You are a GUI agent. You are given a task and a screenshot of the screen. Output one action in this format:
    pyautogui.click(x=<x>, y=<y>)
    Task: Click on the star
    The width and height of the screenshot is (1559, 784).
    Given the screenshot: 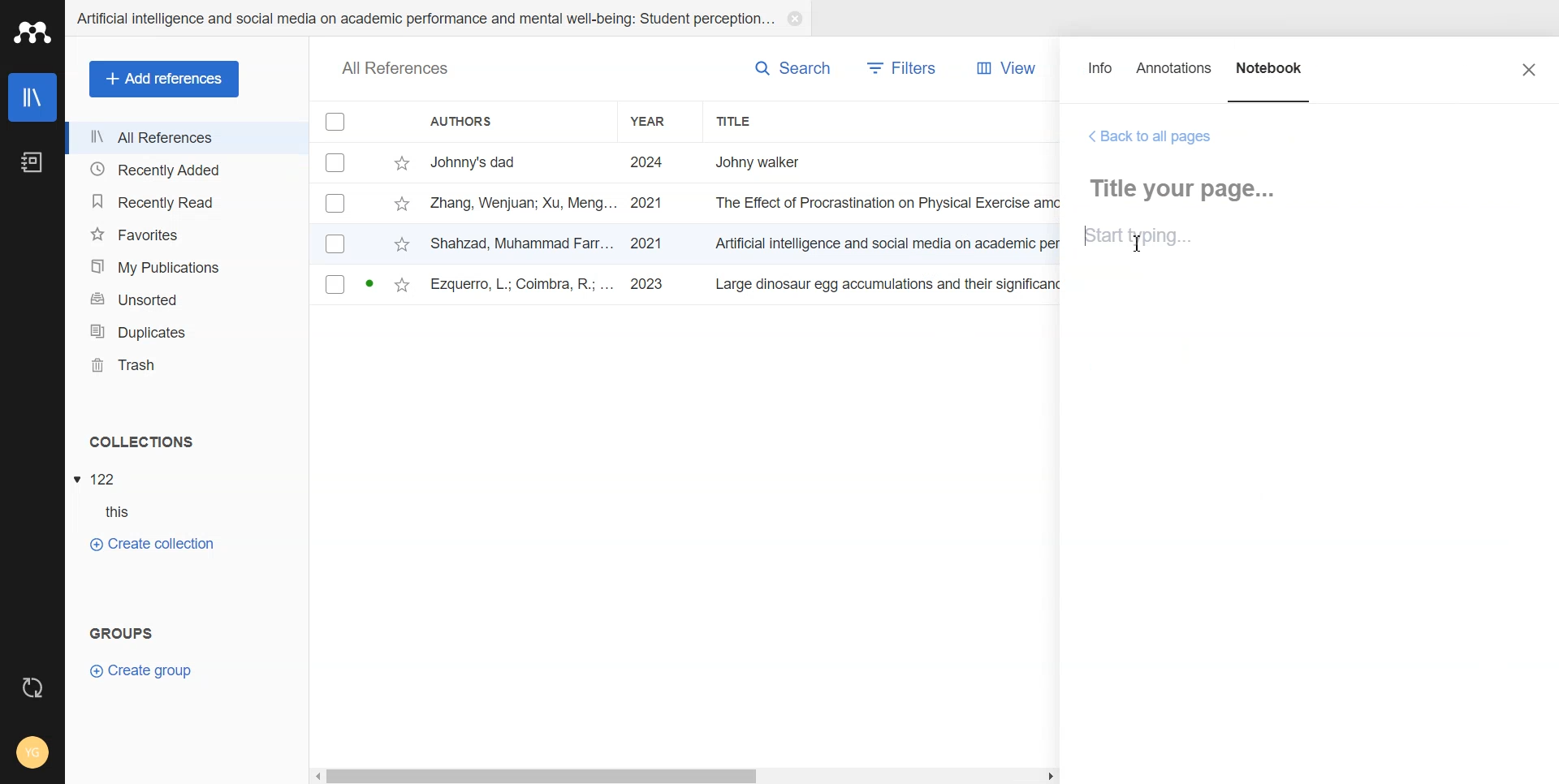 What is the action you would take?
    pyautogui.click(x=402, y=246)
    